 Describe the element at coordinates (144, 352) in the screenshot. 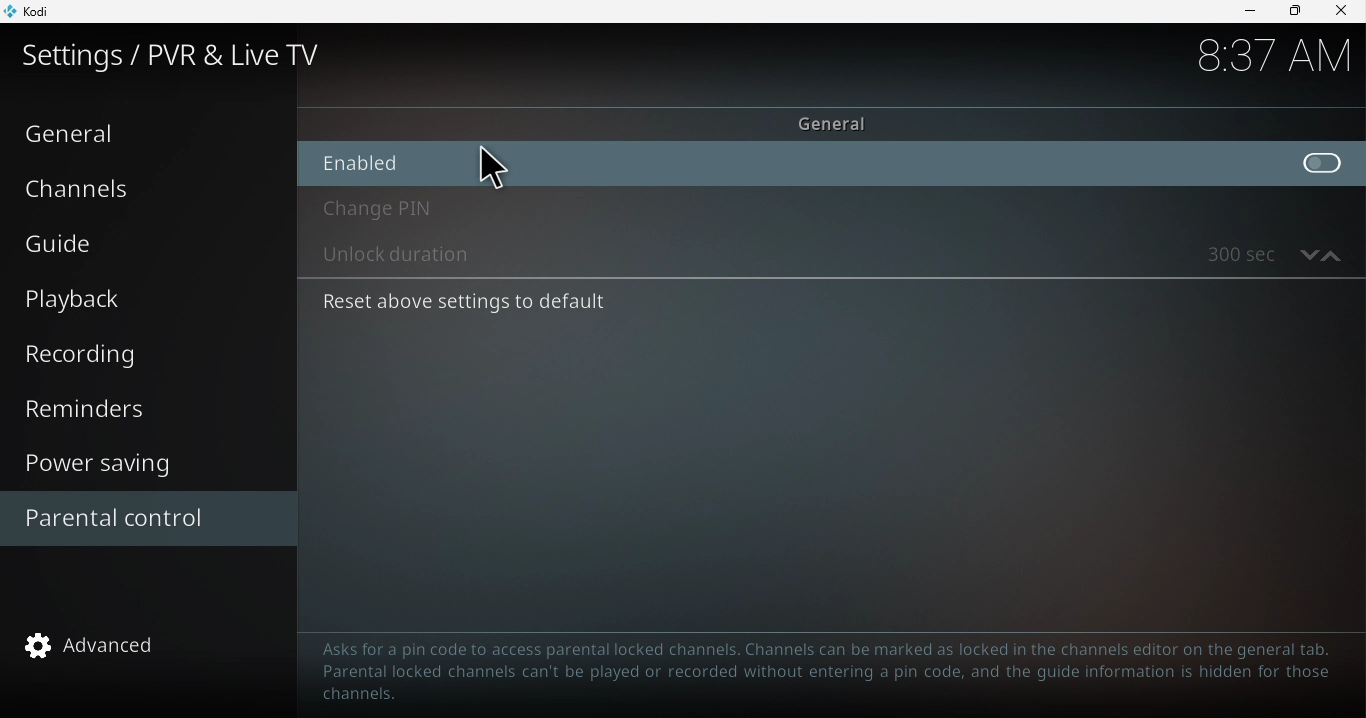

I see `Recording` at that location.